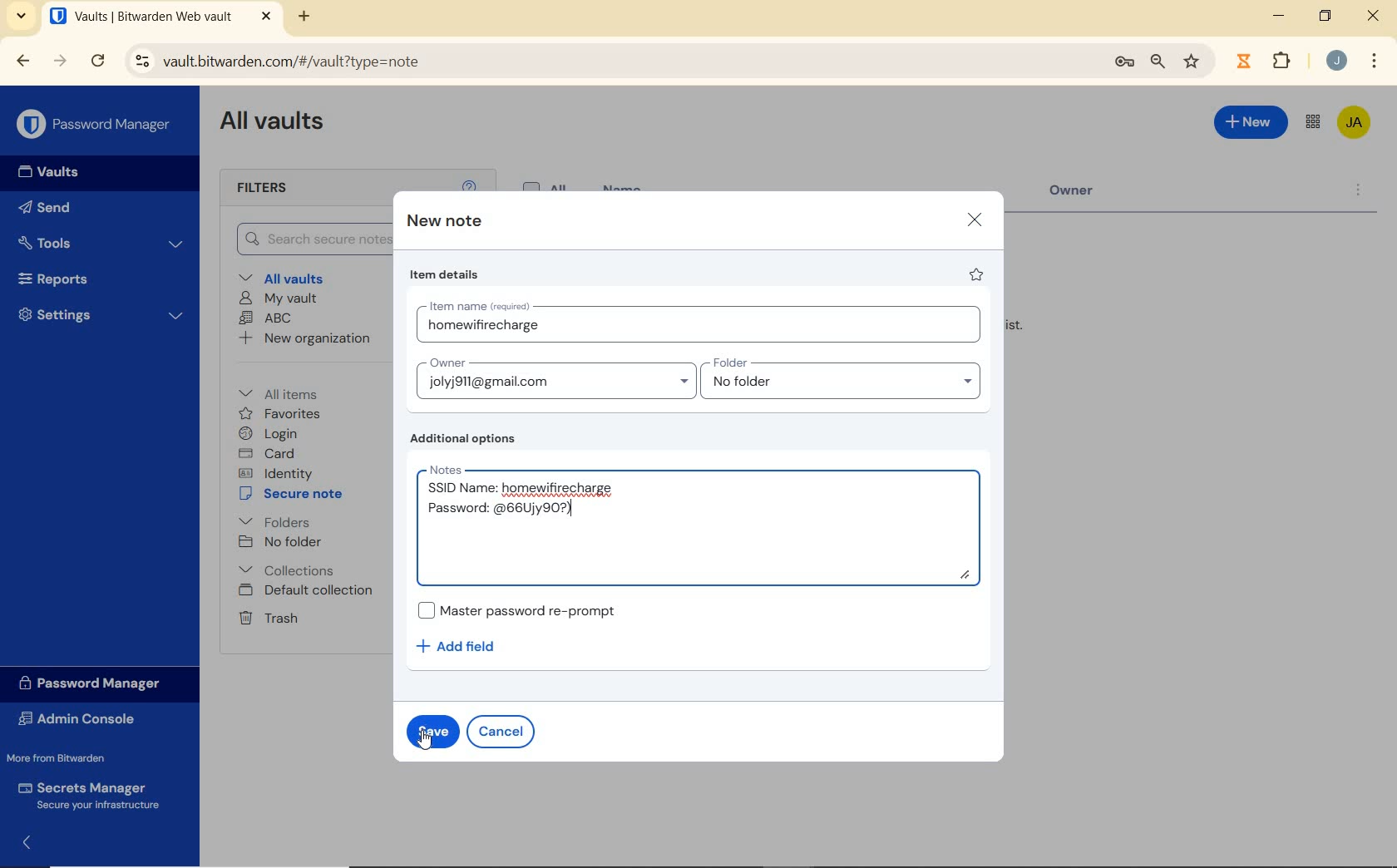  Describe the element at coordinates (278, 299) in the screenshot. I see `My Vault` at that location.